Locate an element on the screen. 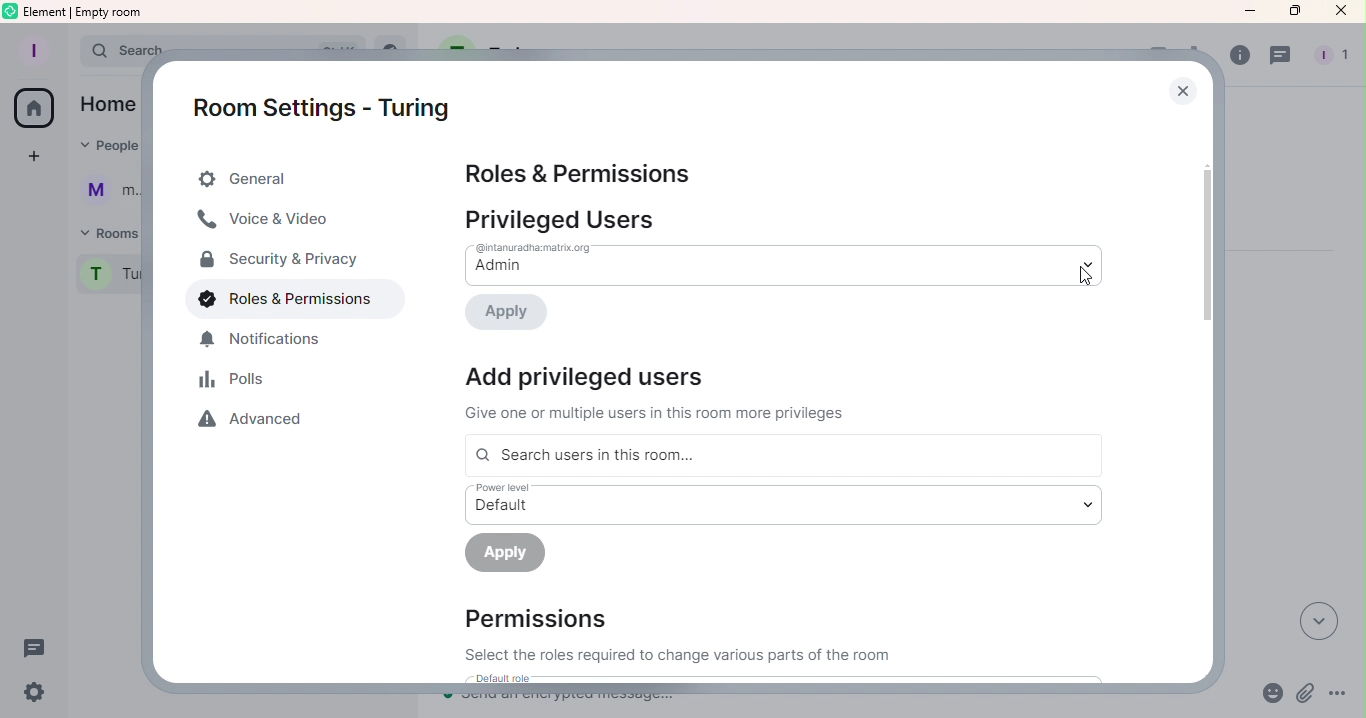 The height and width of the screenshot is (718, 1366). Room settings - Turing is located at coordinates (322, 102).